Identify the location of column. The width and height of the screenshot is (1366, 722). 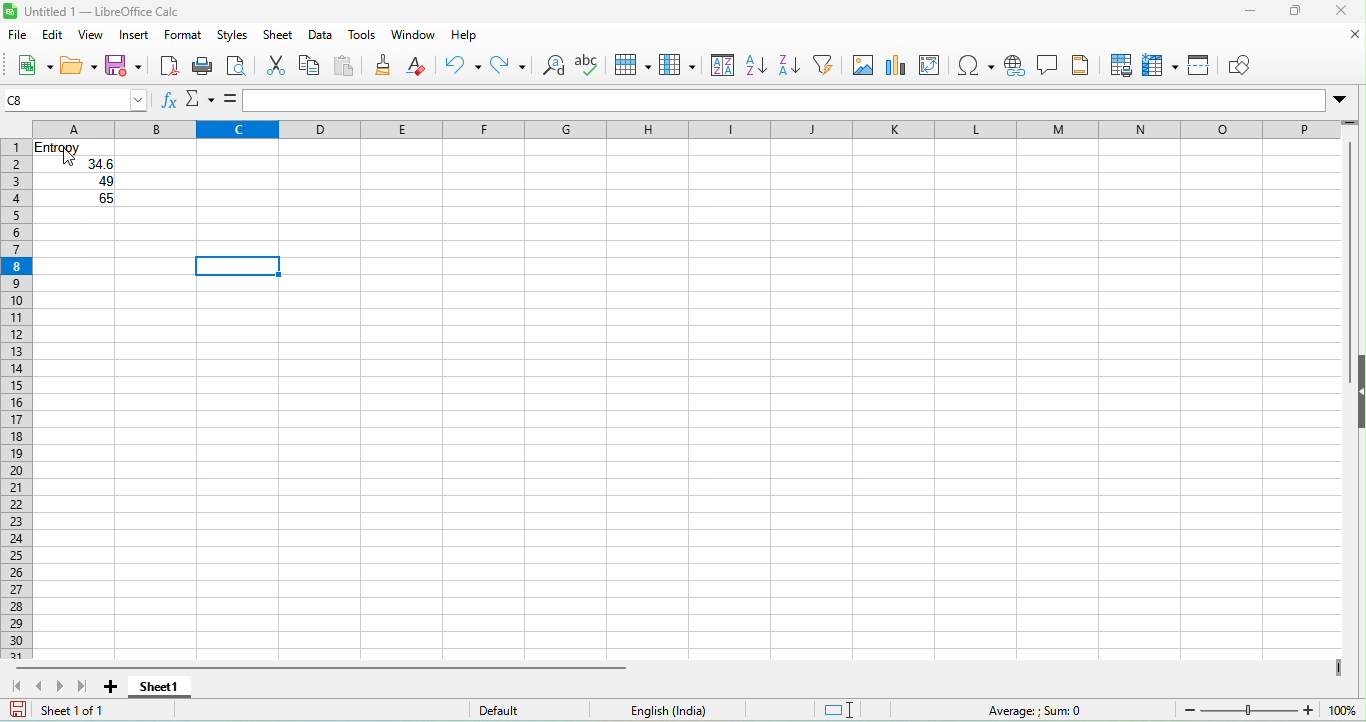
(674, 65).